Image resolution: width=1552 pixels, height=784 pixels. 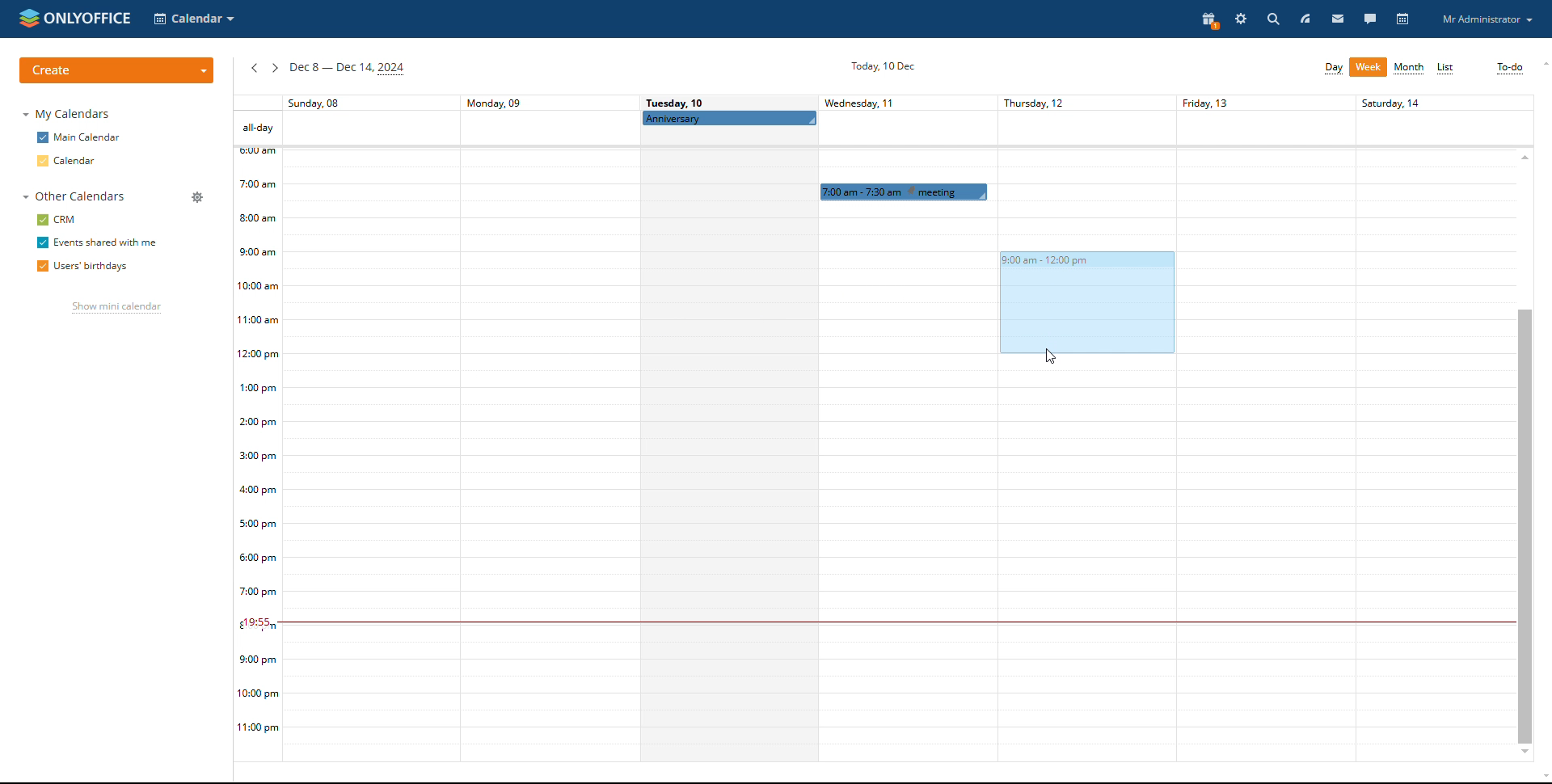 I want to click on checkbox, so click(x=40, y=266).